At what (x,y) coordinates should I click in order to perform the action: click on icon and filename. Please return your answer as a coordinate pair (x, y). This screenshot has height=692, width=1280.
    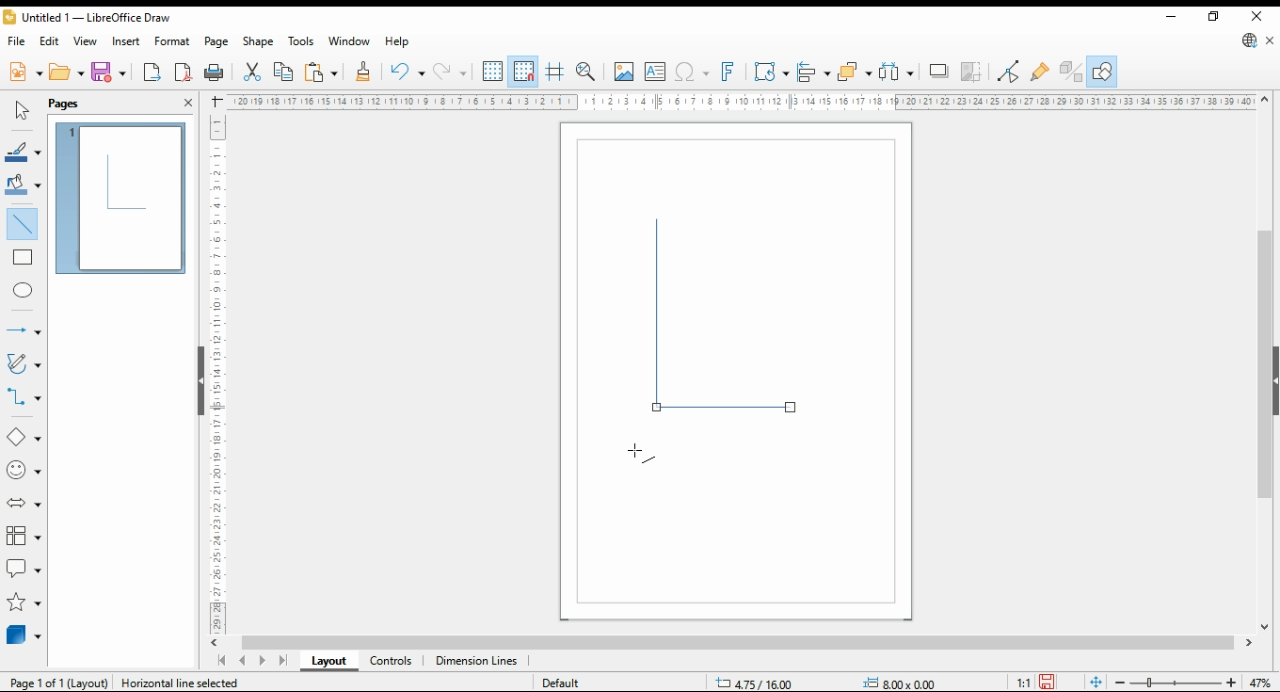
    Looking at the image, I should click on (90, 20).